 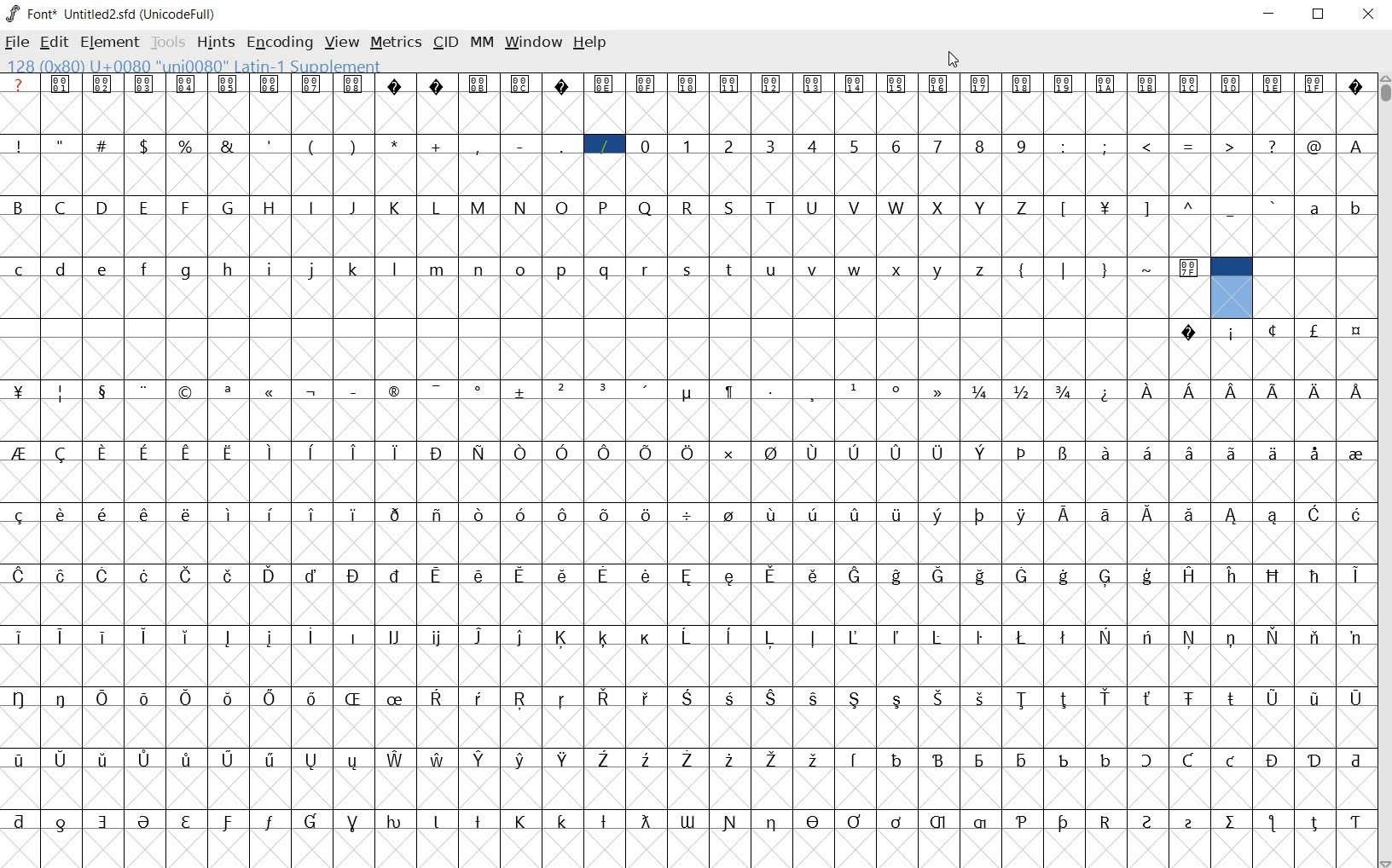 What do you see at coordinates (941, 391) in the screenshot?
I see `Symbol` at bounding box center [941, 391].